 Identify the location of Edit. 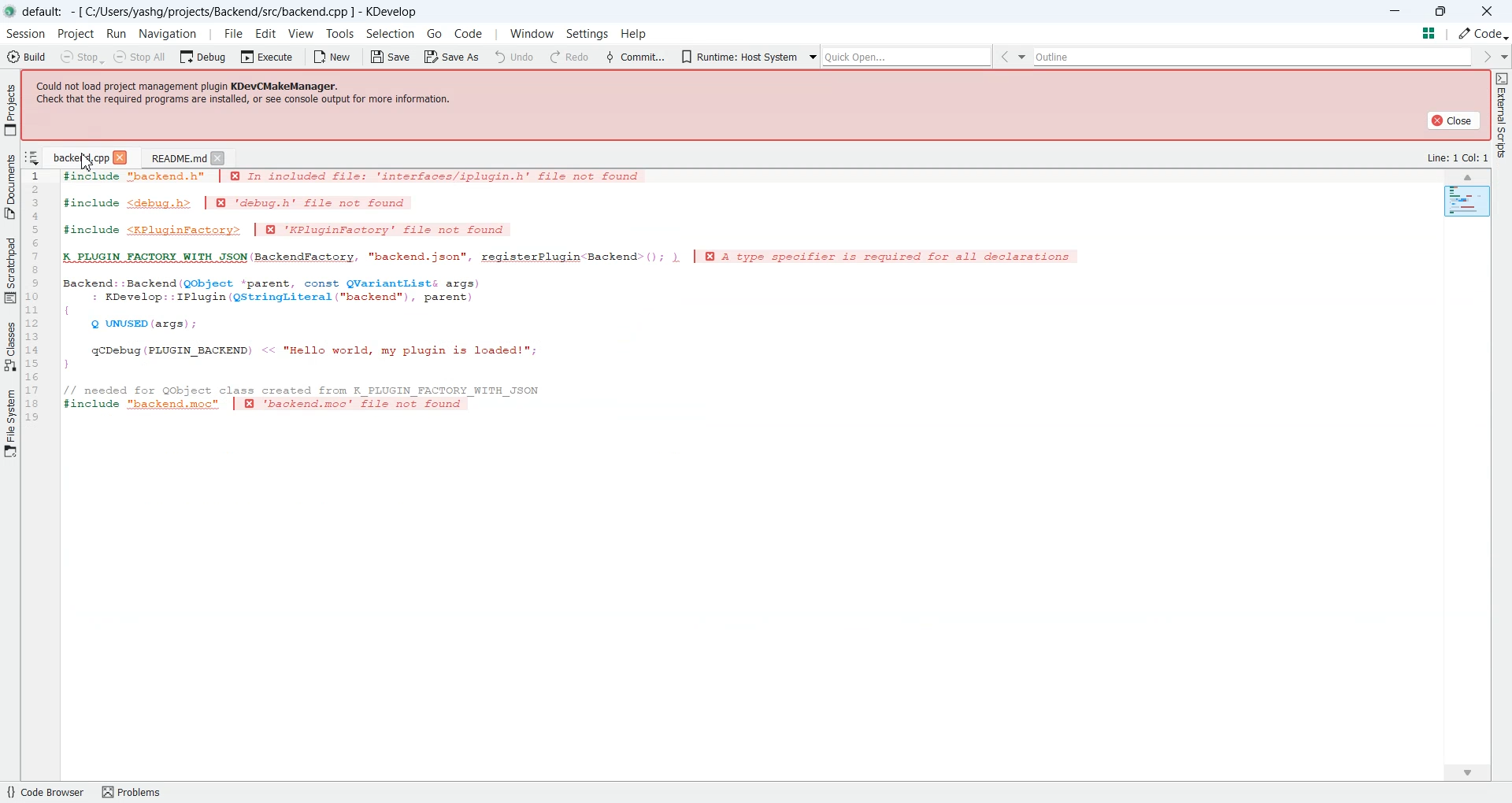
(266, 33).